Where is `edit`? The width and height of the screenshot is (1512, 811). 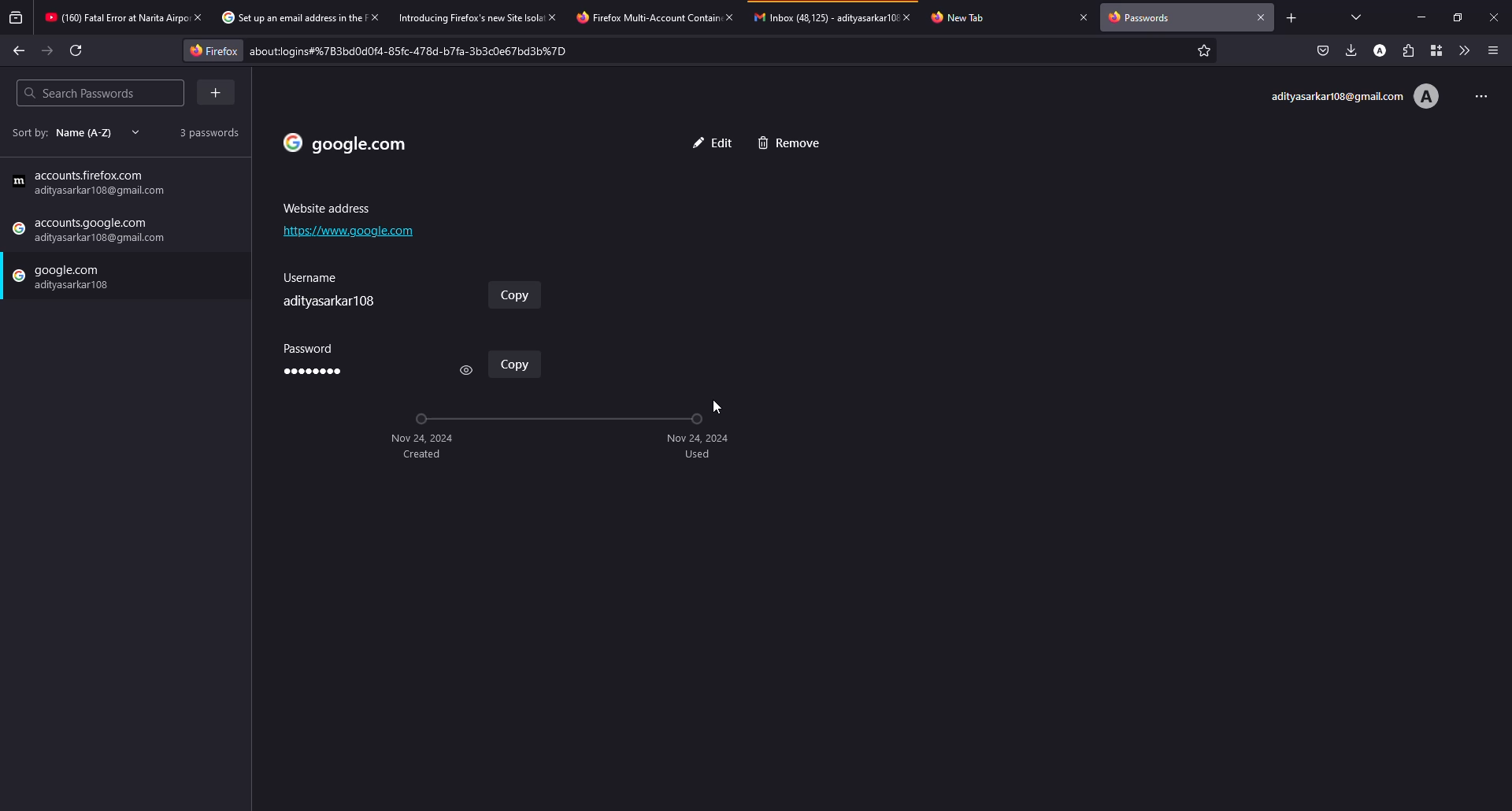 edit is located at coordinates (702, 143).